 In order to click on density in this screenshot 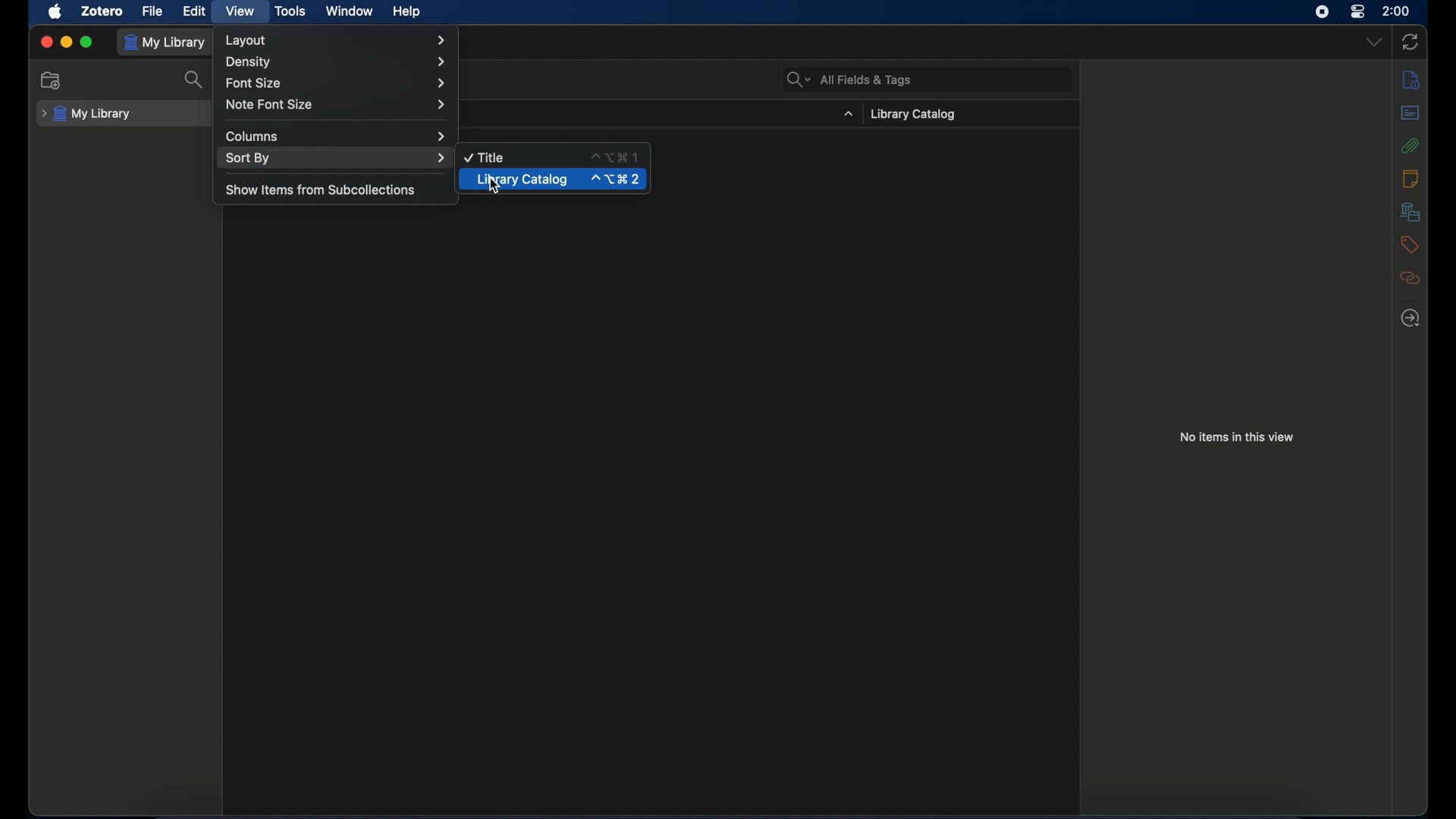, I will do `click(334, 61)`.